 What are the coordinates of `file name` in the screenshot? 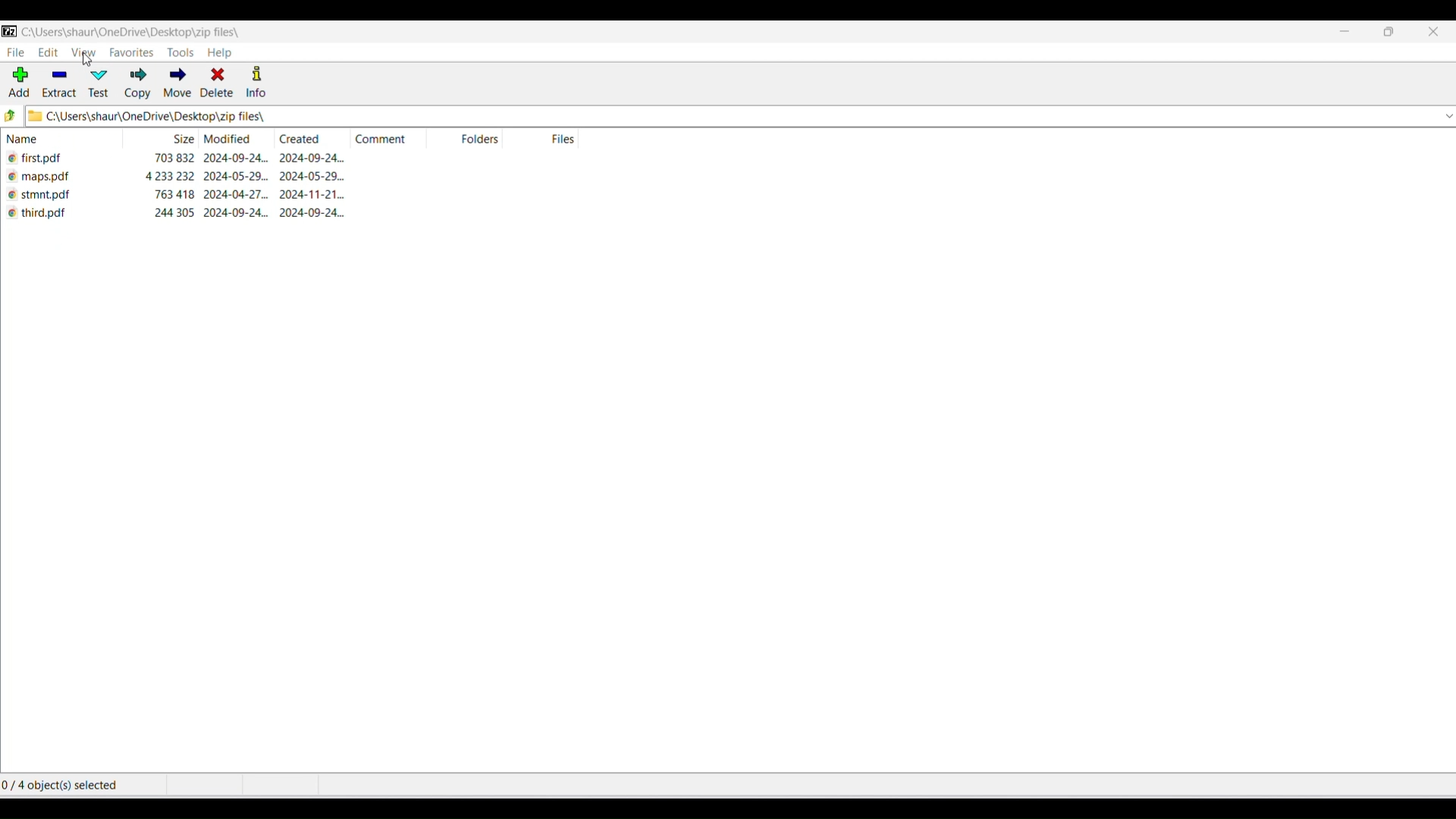 It's located at (69, 161).